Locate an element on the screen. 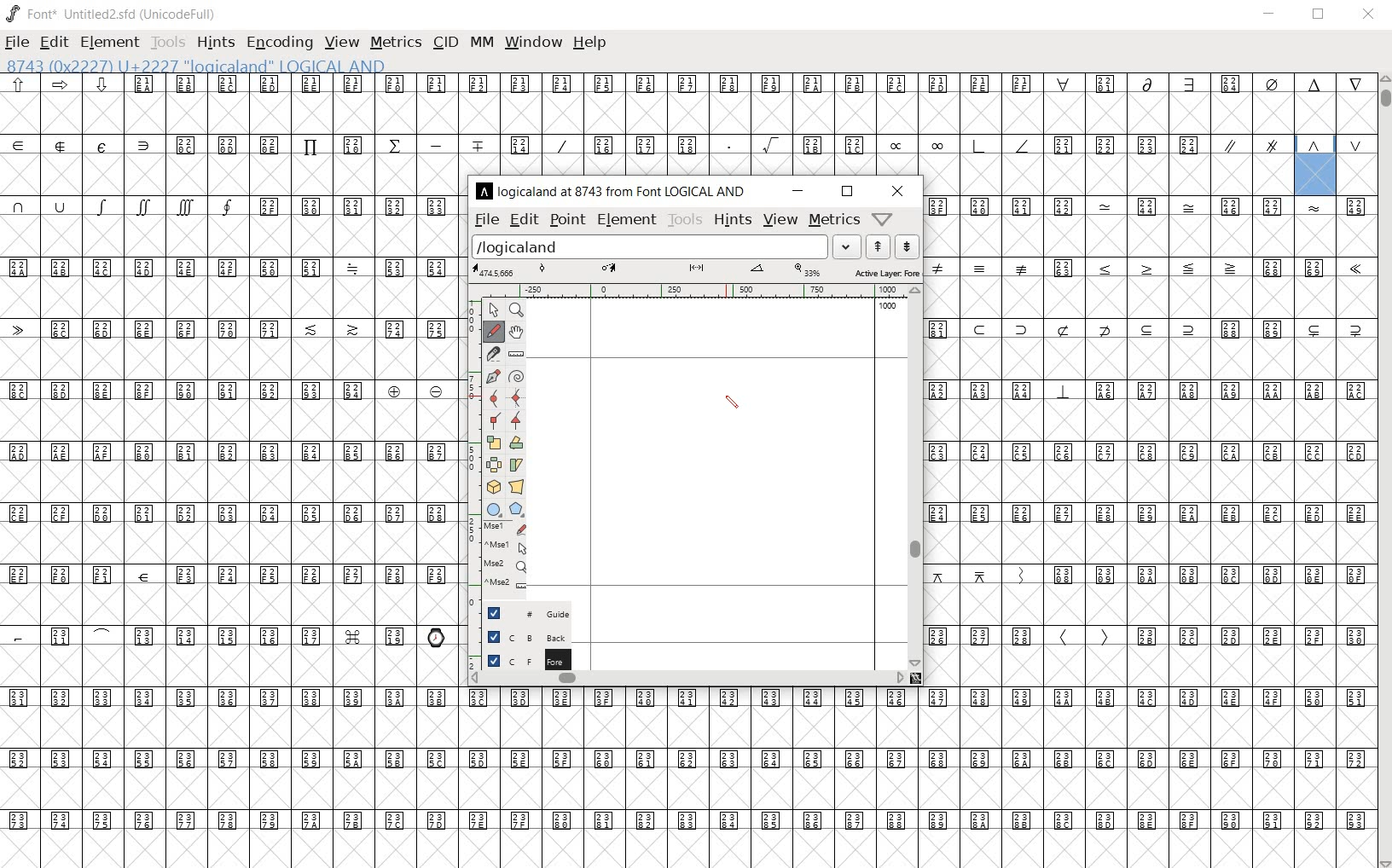  load word list is located at coordinates (665, 246).